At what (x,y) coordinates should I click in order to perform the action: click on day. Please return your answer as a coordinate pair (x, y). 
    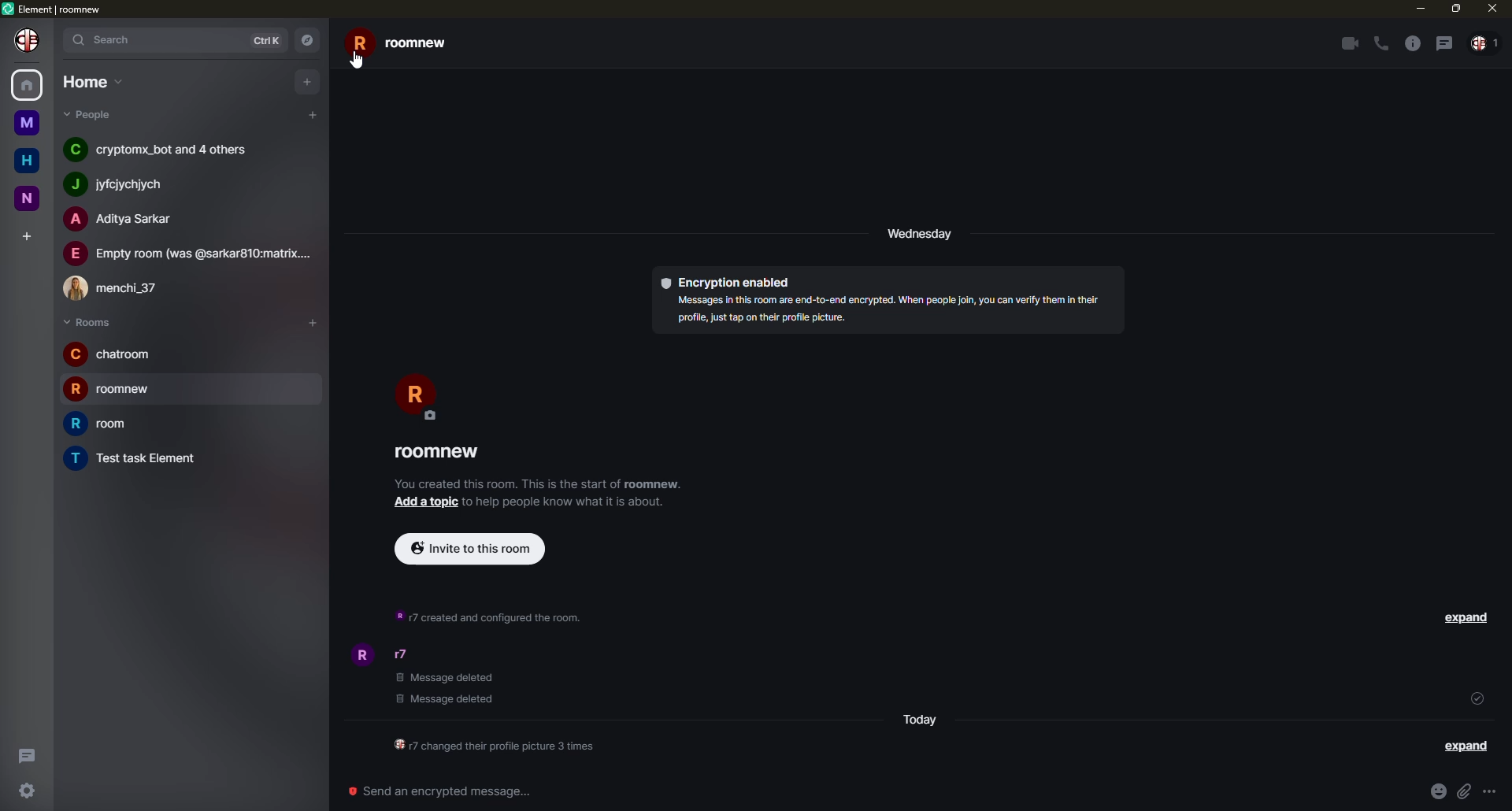
    Looking at the image, I should click on (918, 719).